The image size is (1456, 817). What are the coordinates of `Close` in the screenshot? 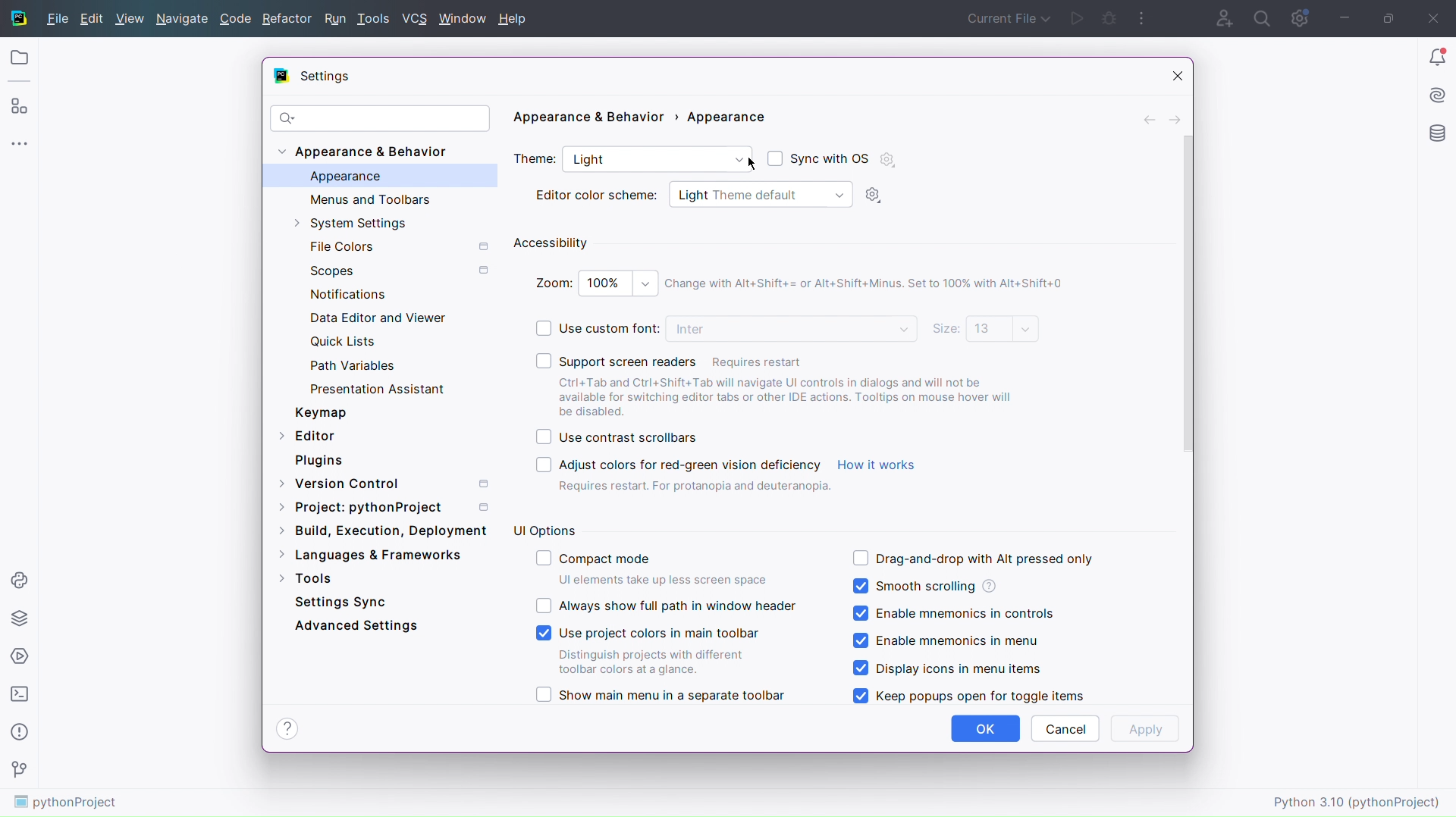 It's located at (1170, 75).